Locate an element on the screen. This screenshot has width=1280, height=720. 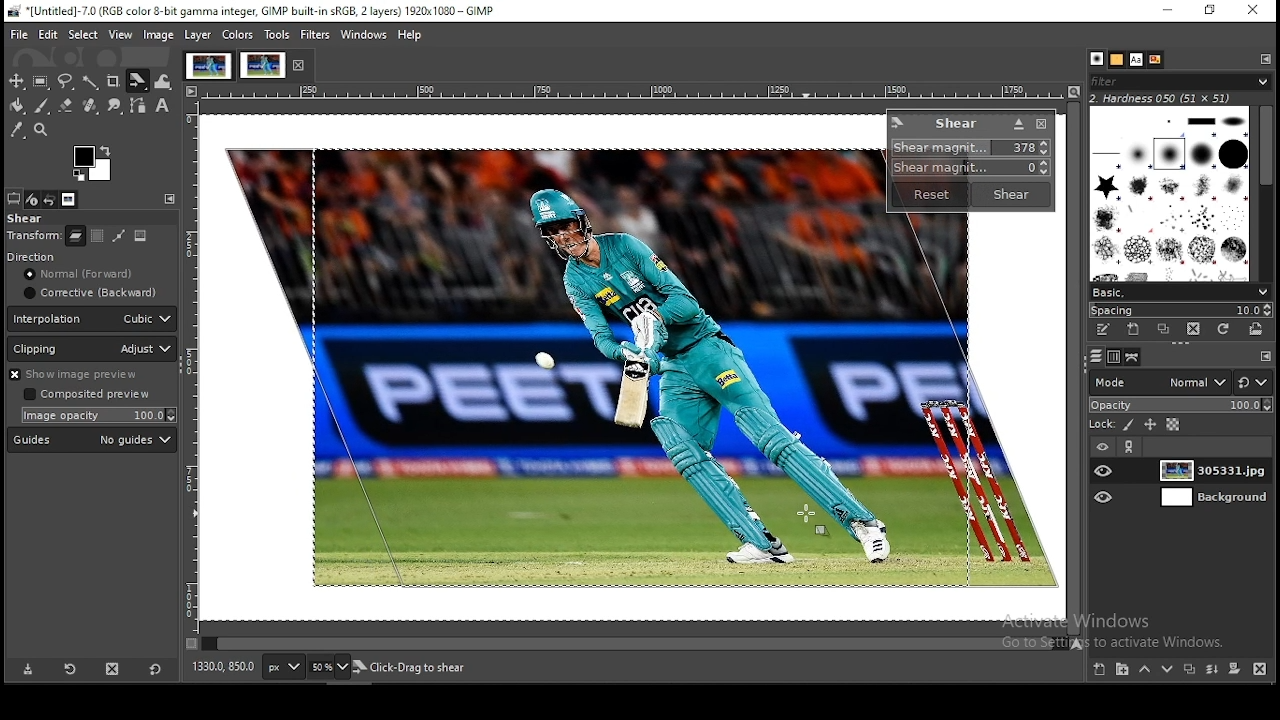
paths tools is located at coordinates (138, 105).